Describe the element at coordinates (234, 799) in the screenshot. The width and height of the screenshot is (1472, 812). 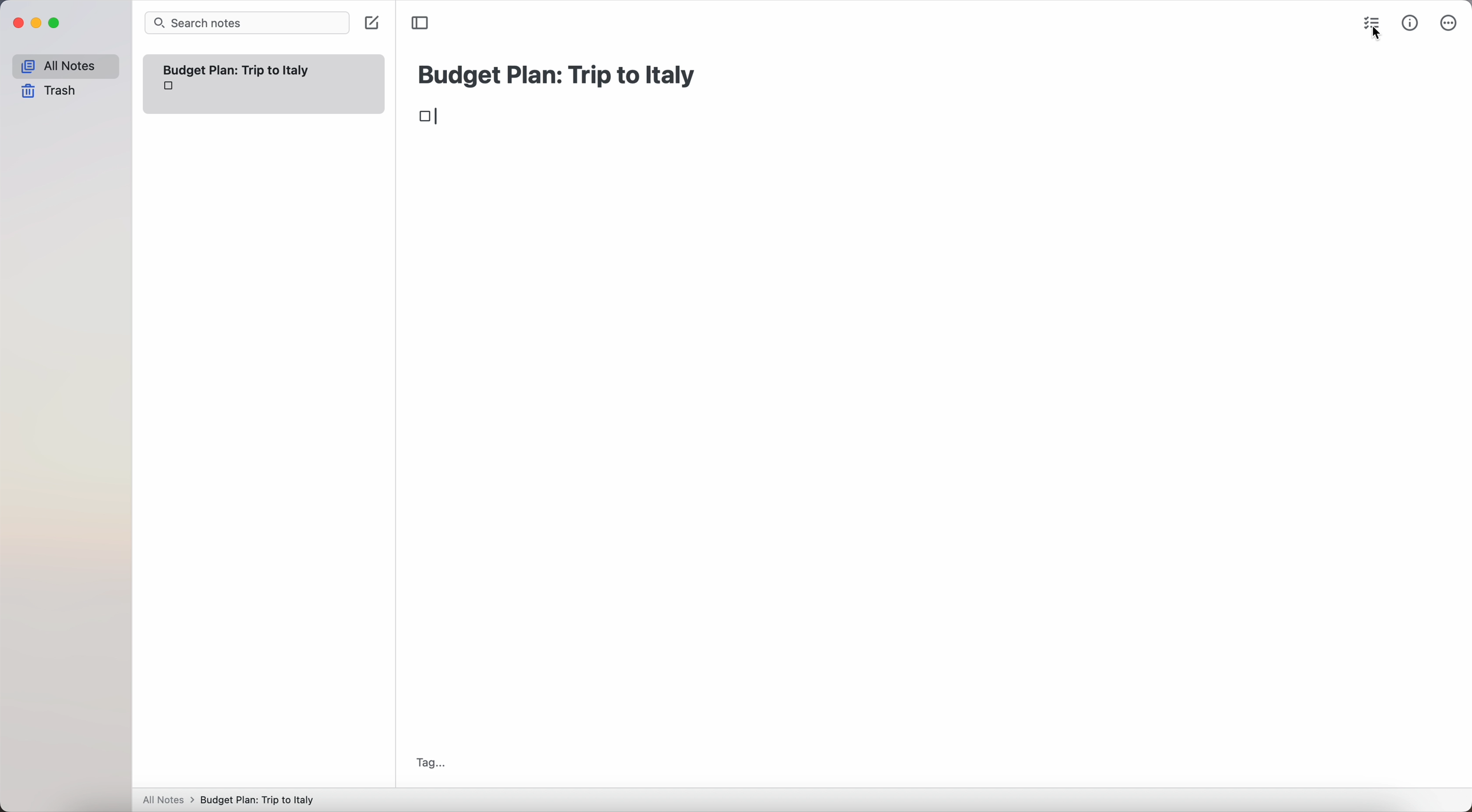
I see `All notes > Budget Plan: Trip to Italy` at that location.